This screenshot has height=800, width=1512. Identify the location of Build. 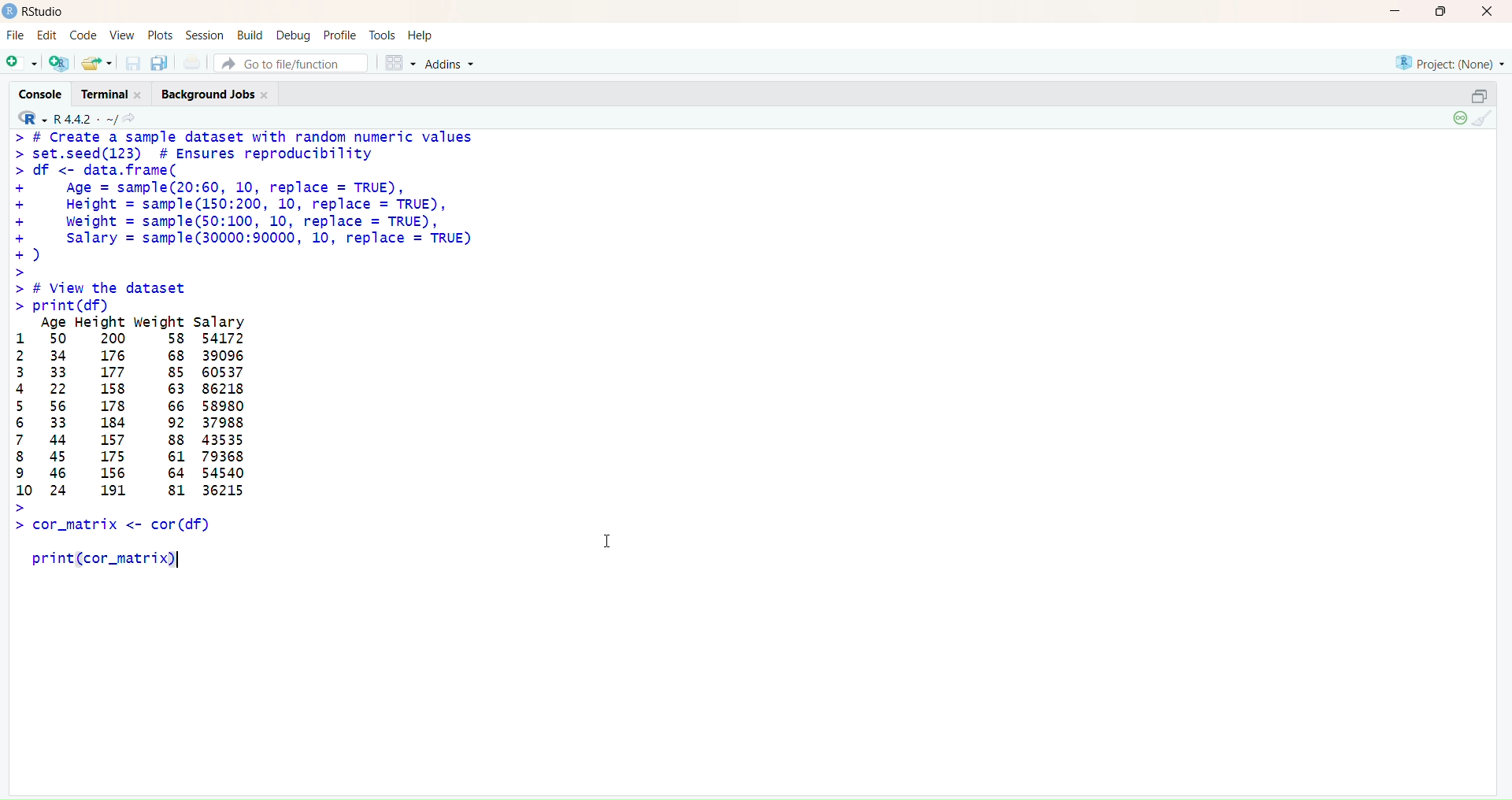
(250, 34).